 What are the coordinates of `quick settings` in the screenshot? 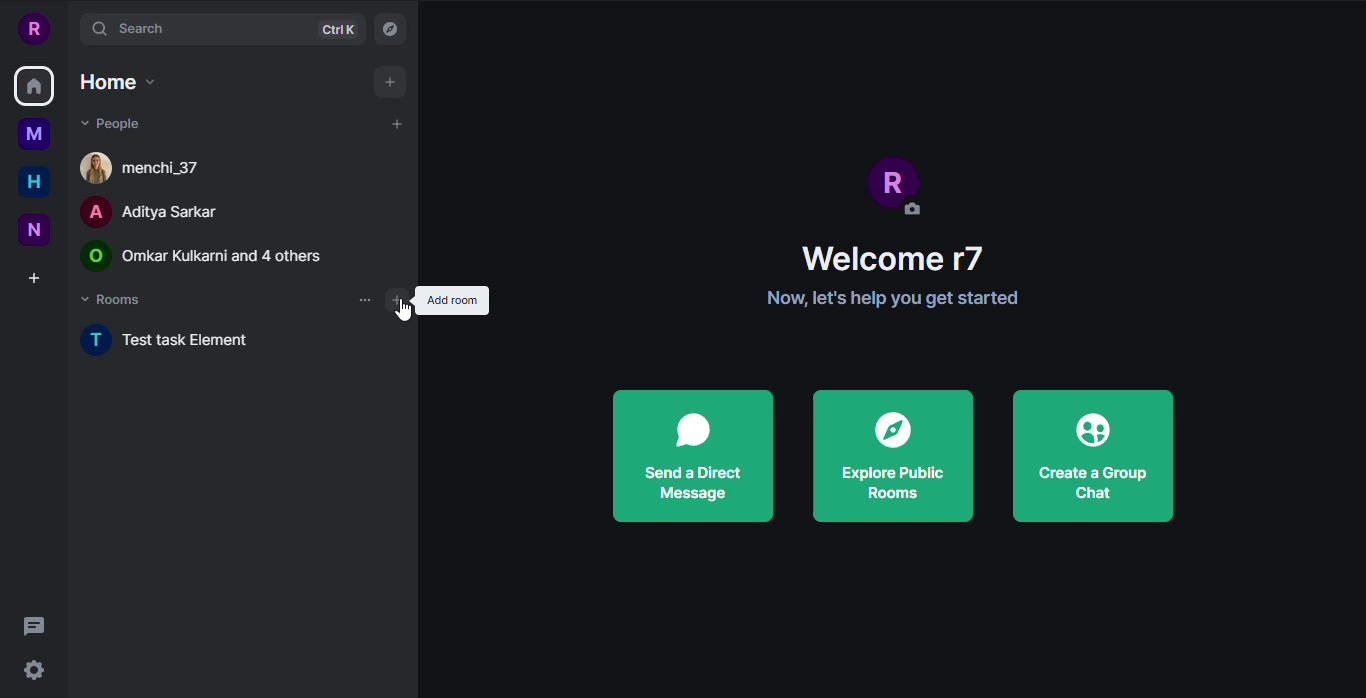 It's located at (35, 673).